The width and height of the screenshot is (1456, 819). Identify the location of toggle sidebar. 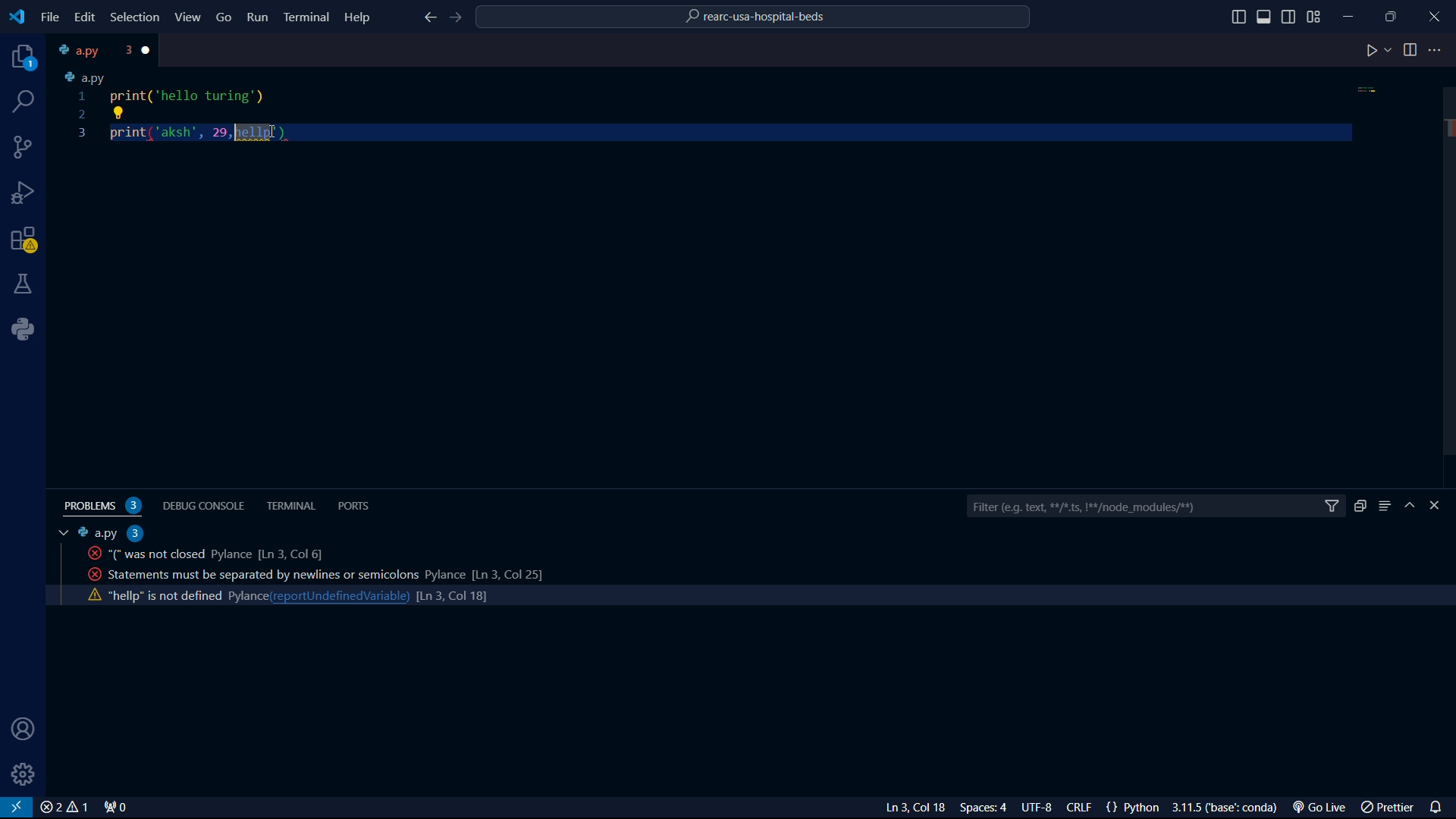
(1266, 17).